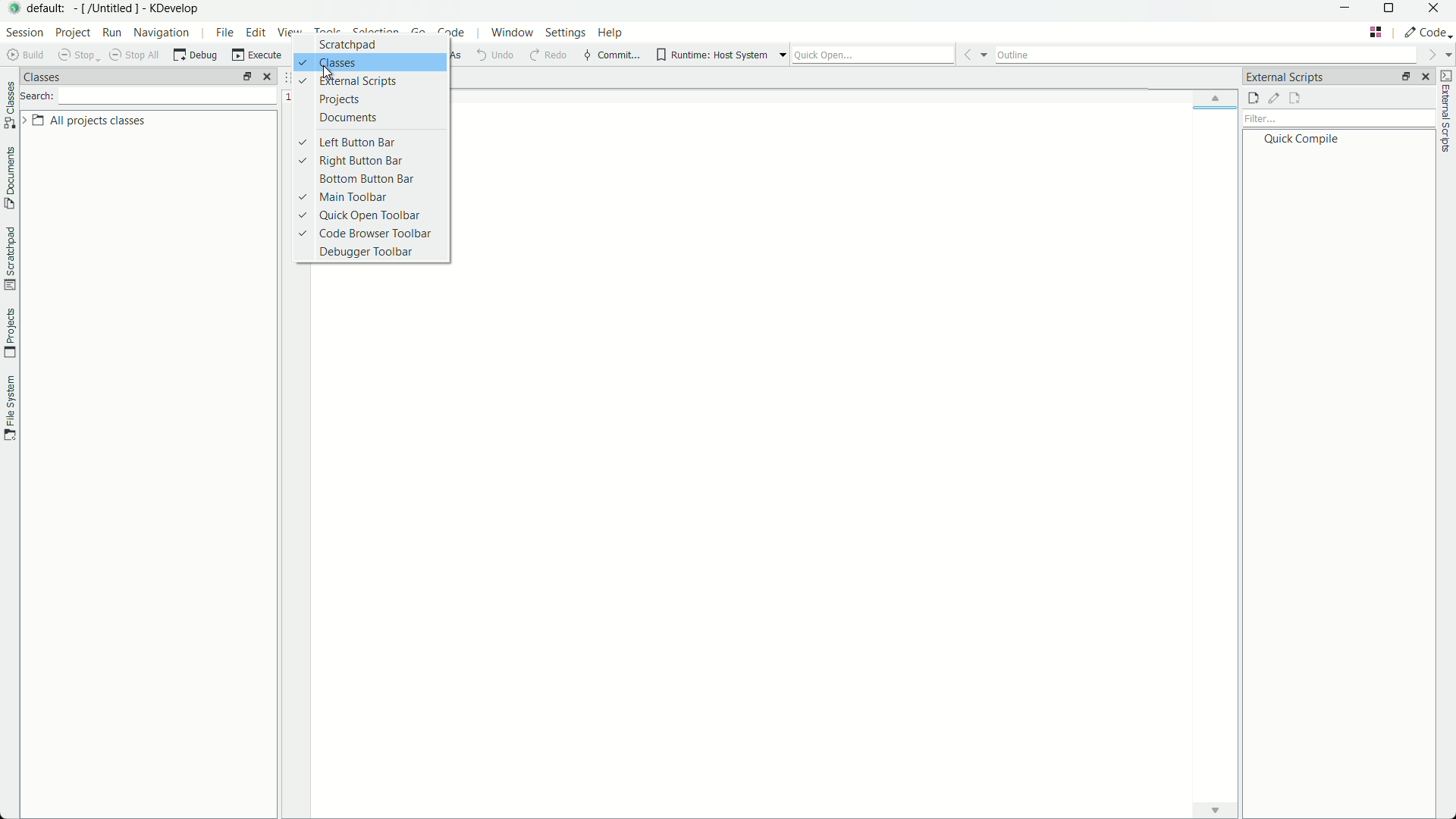  Describe the element at coordinates (123, 74) in the screenshot. I see `classes` at that location.